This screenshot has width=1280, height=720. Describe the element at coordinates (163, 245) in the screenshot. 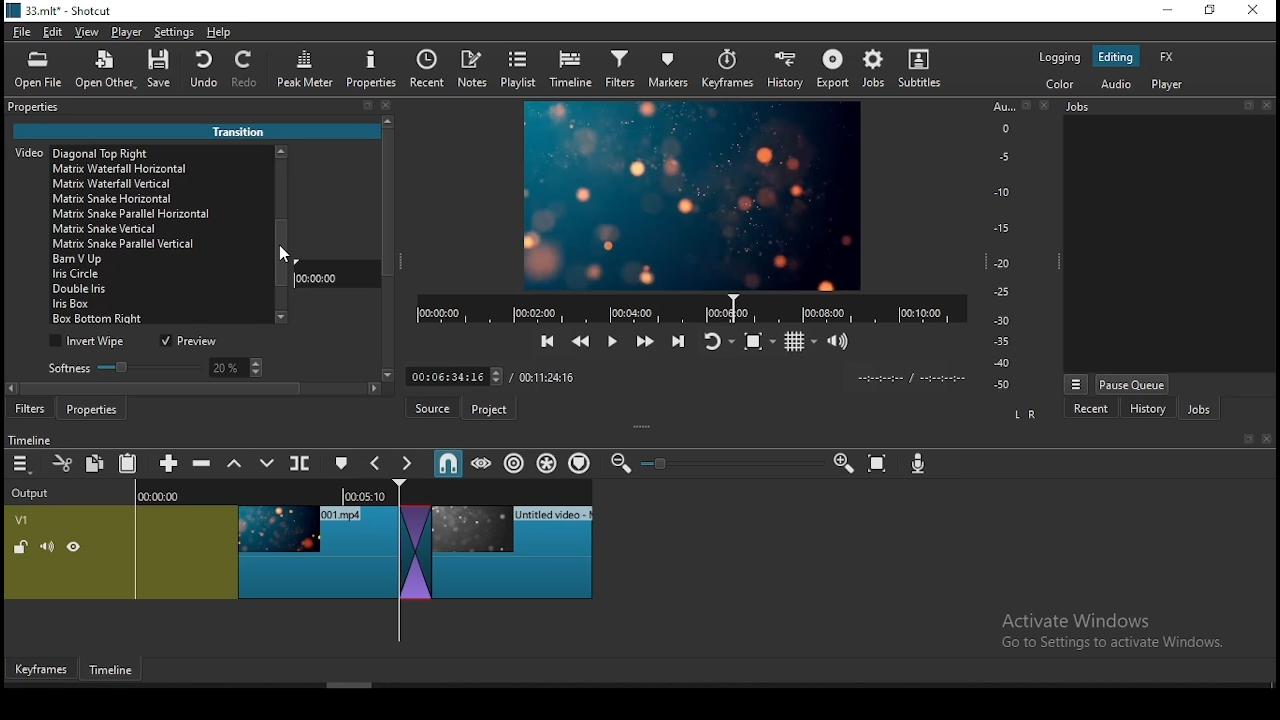

I see `transition option` at that location.